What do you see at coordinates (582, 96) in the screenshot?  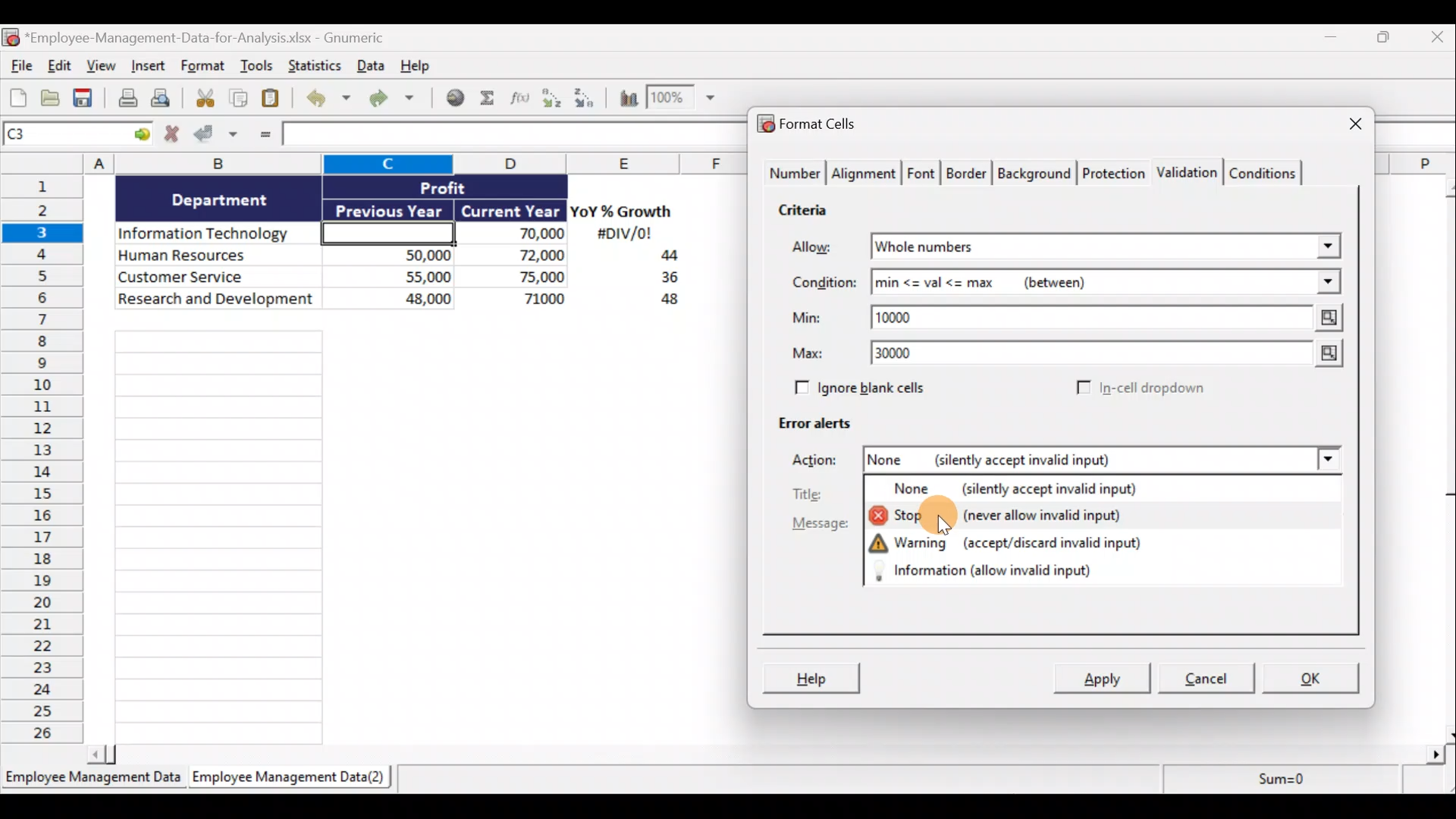 I see `Sort descending` at bounding box center [582, 96].